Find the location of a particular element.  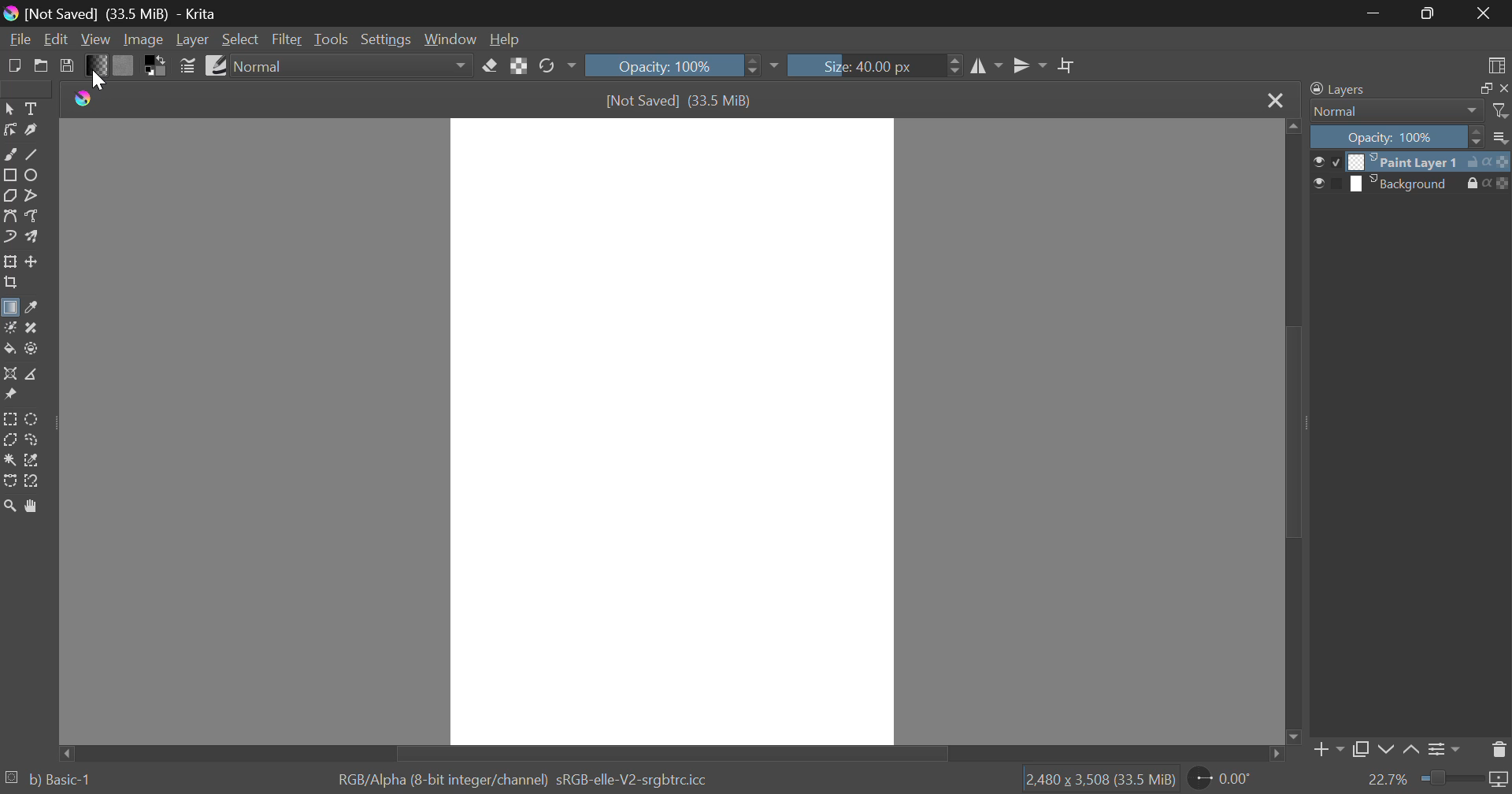

Add Layer is located at coordinates (1327, 753).